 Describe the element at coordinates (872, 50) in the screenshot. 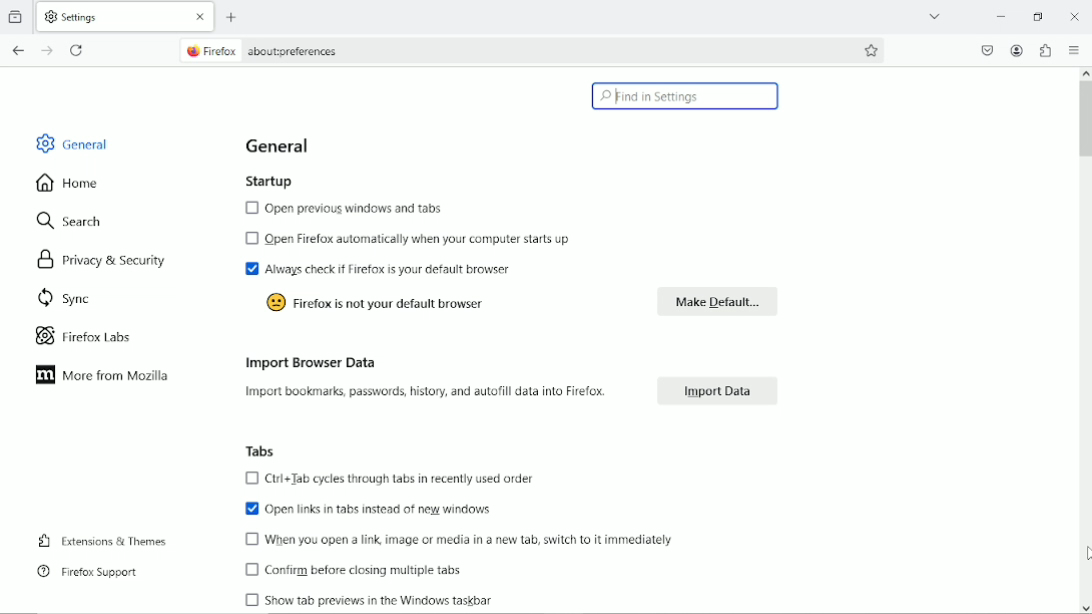

I see `Bookmark this page` at that location.